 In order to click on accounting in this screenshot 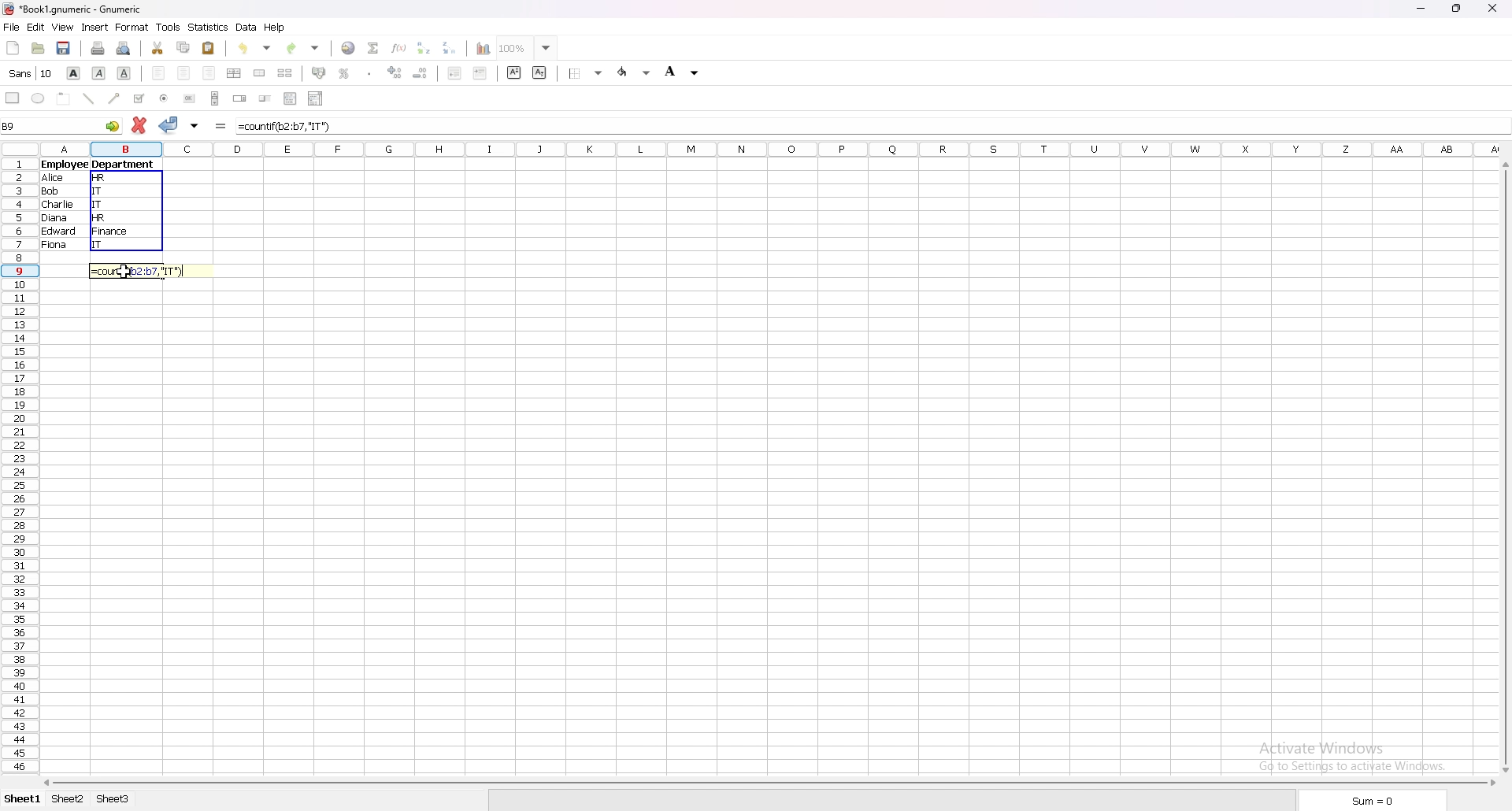, I will do `click(320, 72)`.